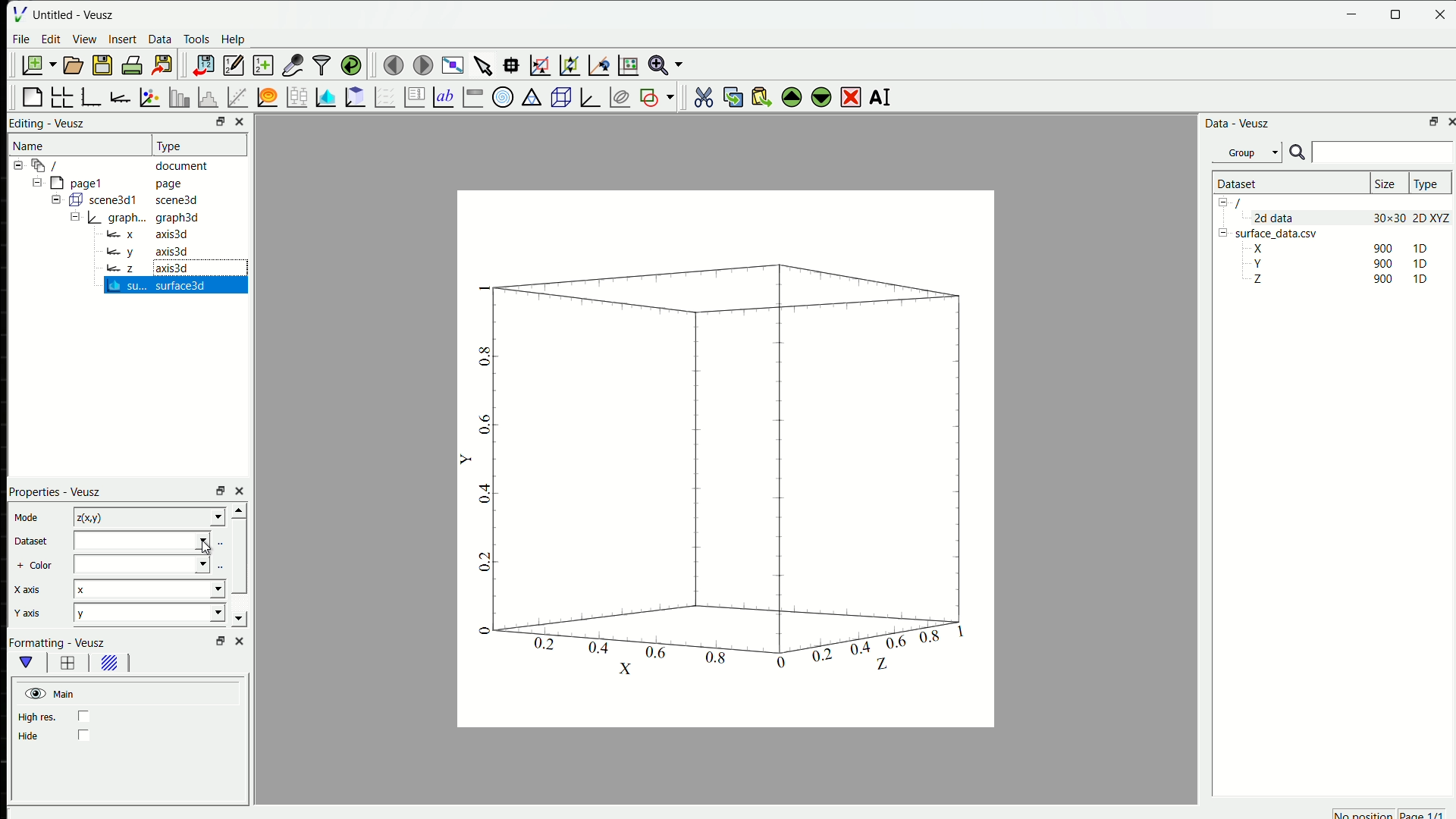  What do you see at coordinates (76, 216) in the screenshot?
I see `Collapse /expand` at bounding box center [76, 216].